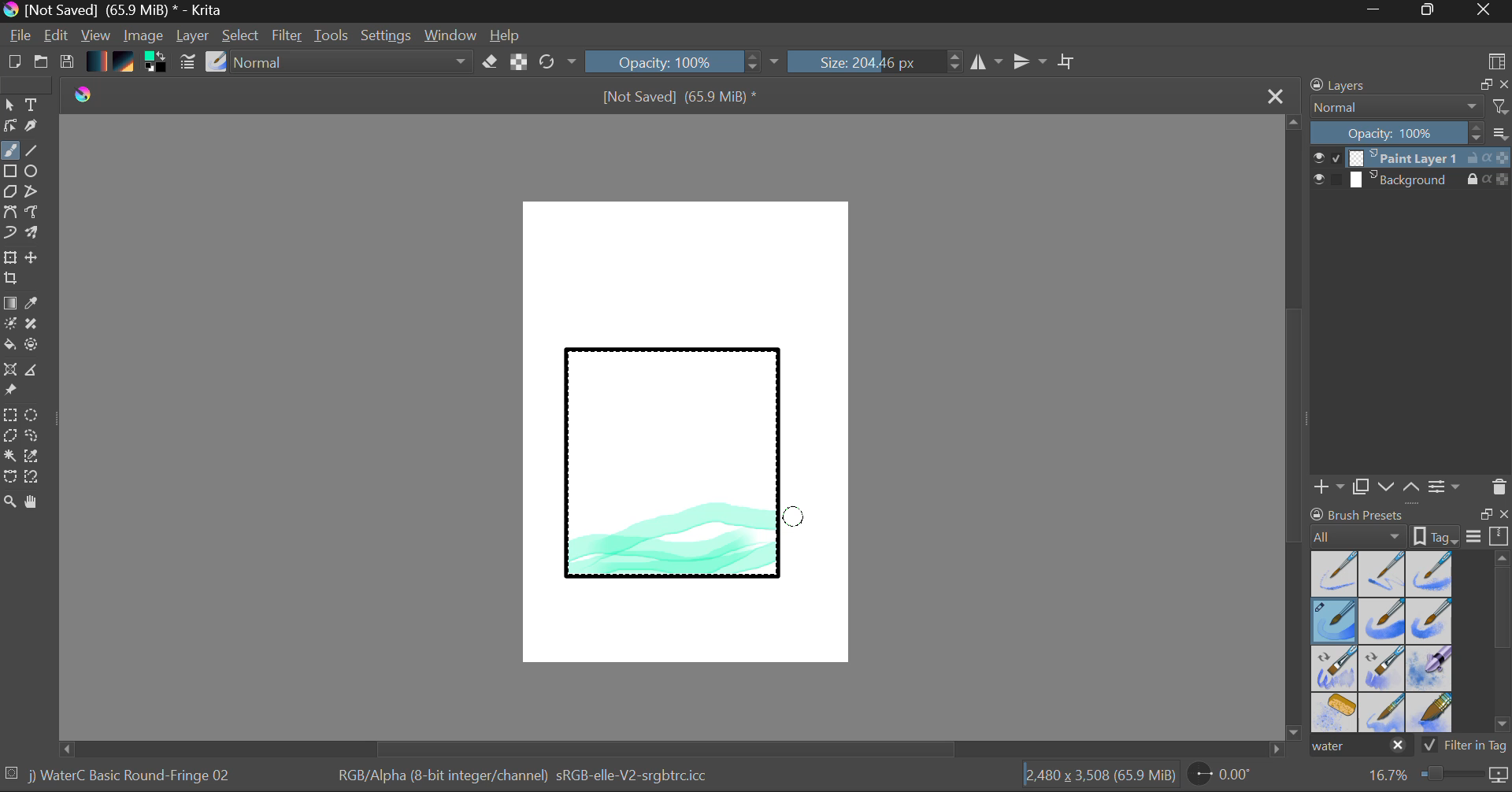 The width and height of the screenshot is (1512, 792). Describe the element at coordinates (35, 416) in the screenshot. I see `Elipses Selection tool` at that location.